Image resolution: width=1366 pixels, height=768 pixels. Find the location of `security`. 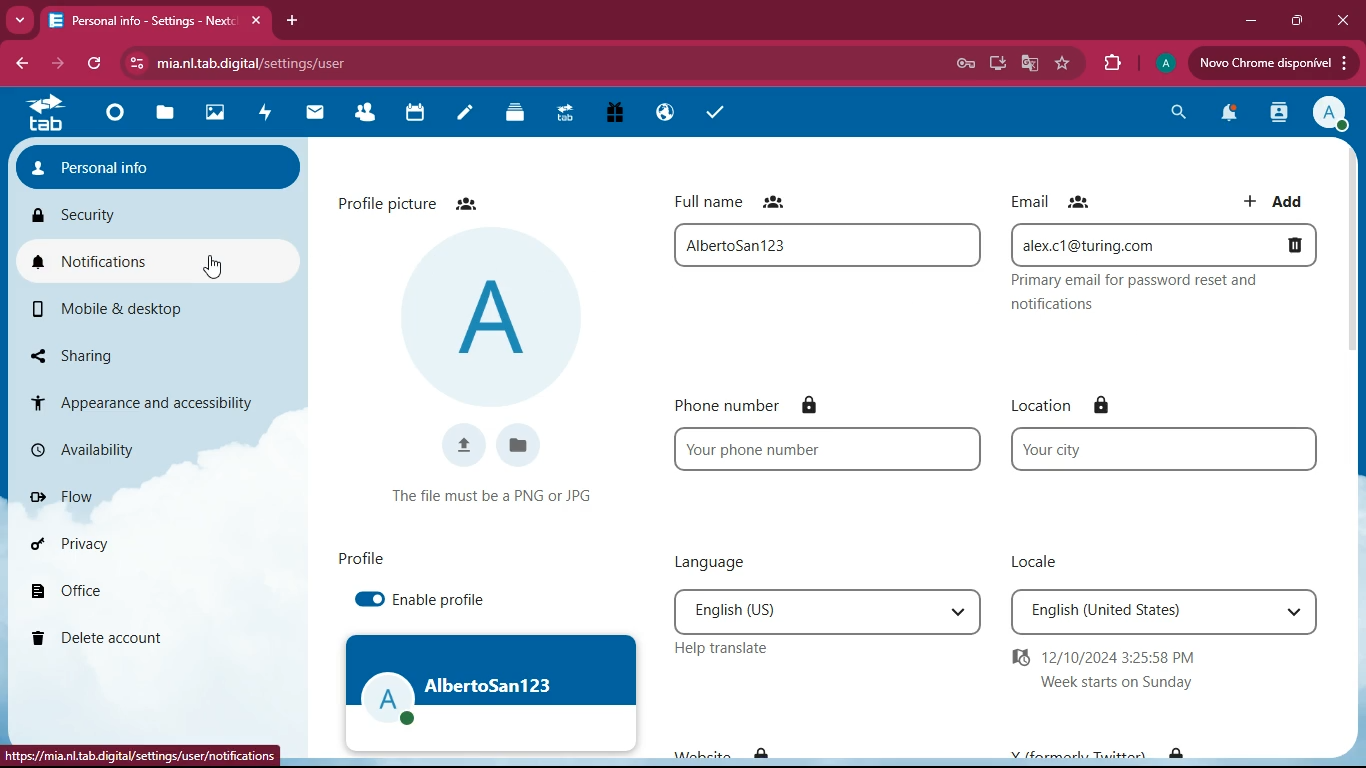

security is located at coordinates (153, 212).